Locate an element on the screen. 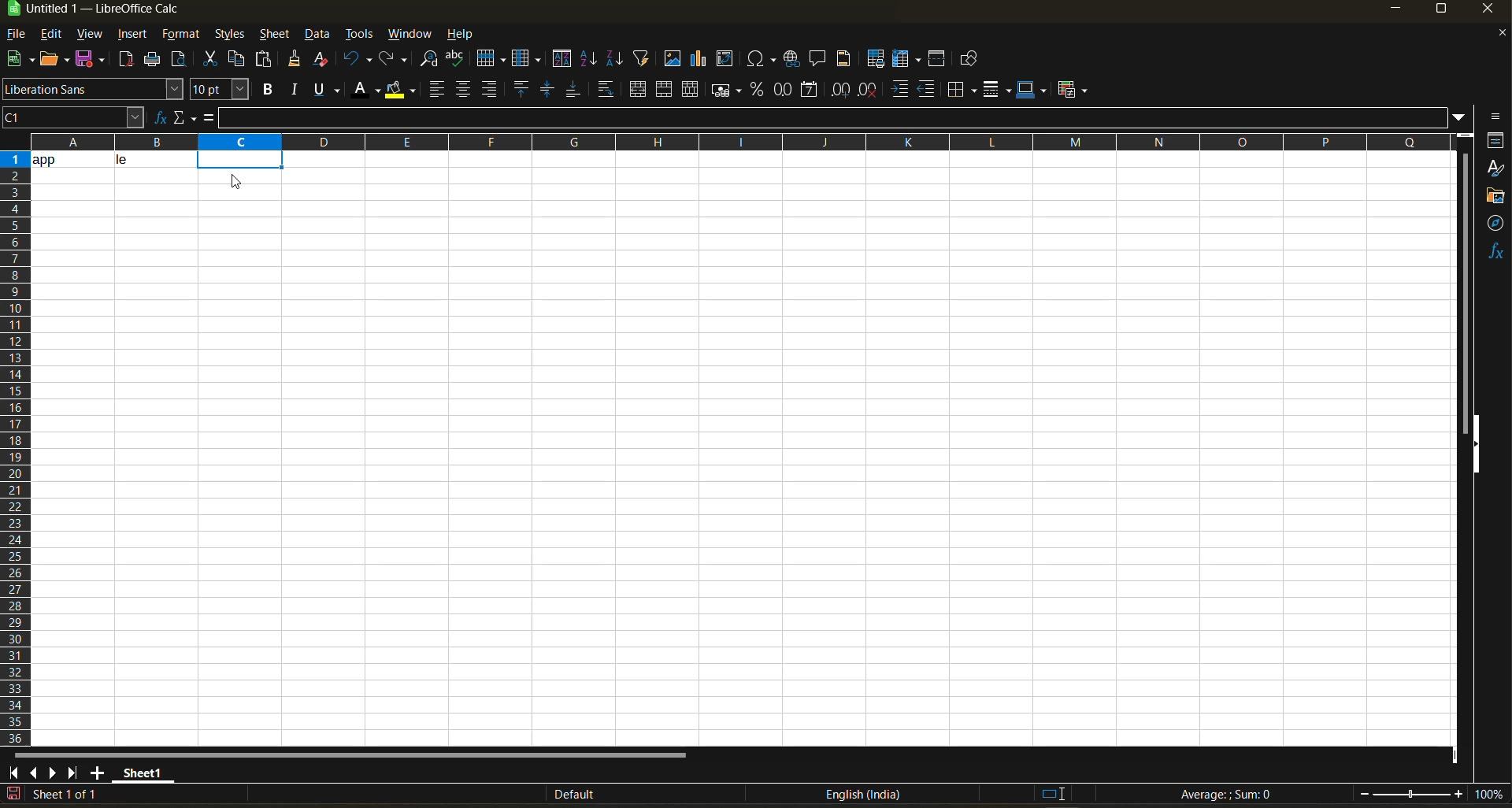 The height and width of the screenshot is (808, 1512). sheet number is located at coordinates (69, 794).